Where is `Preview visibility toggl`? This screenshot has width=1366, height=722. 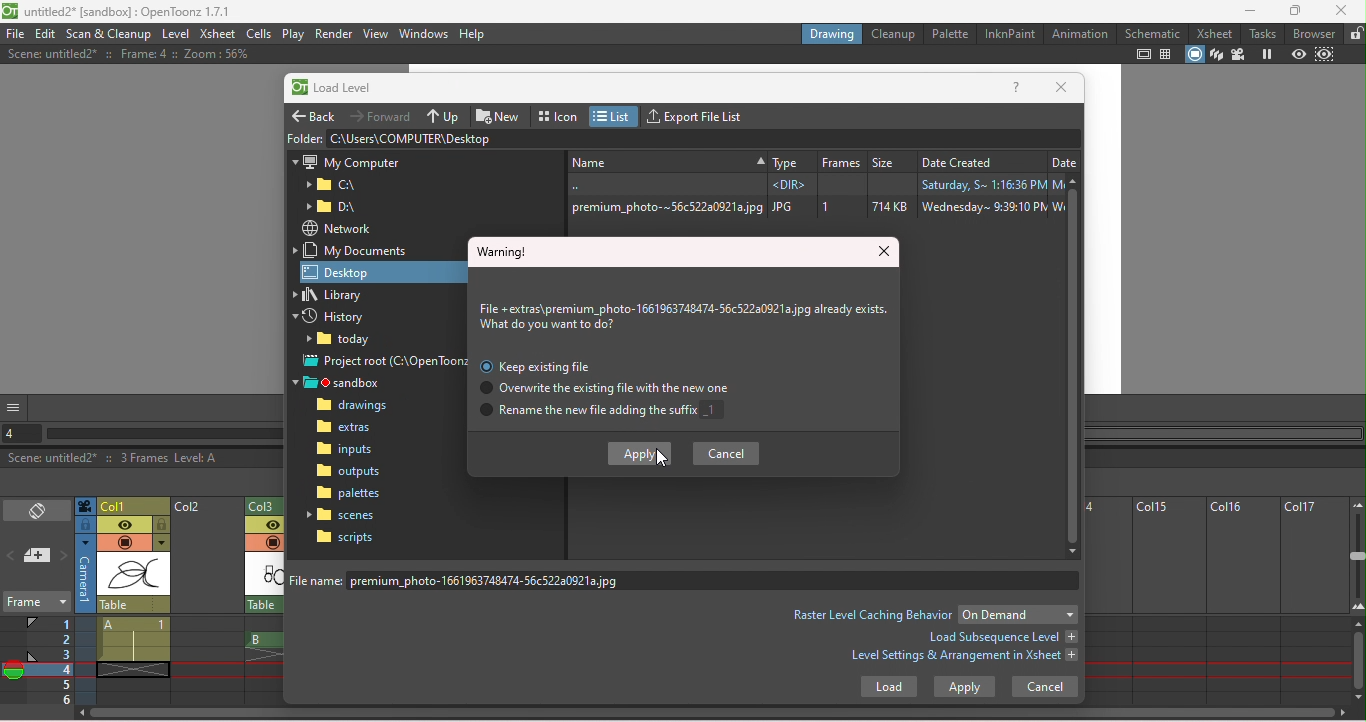 Preview visibility toggl is located at coordinates (263, 526).